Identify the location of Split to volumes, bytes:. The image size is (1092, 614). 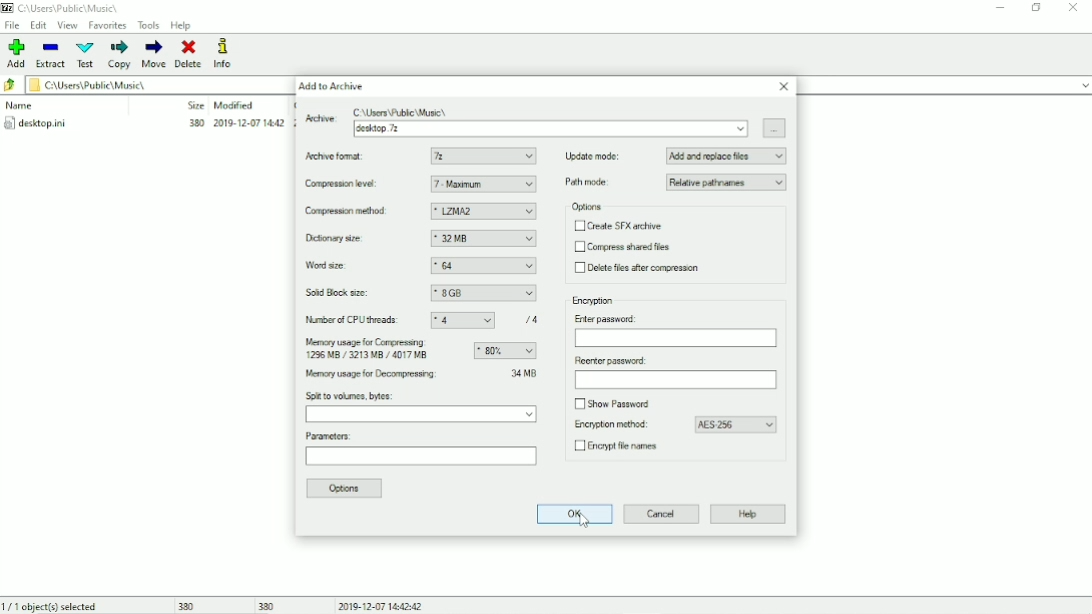
(351, 396).